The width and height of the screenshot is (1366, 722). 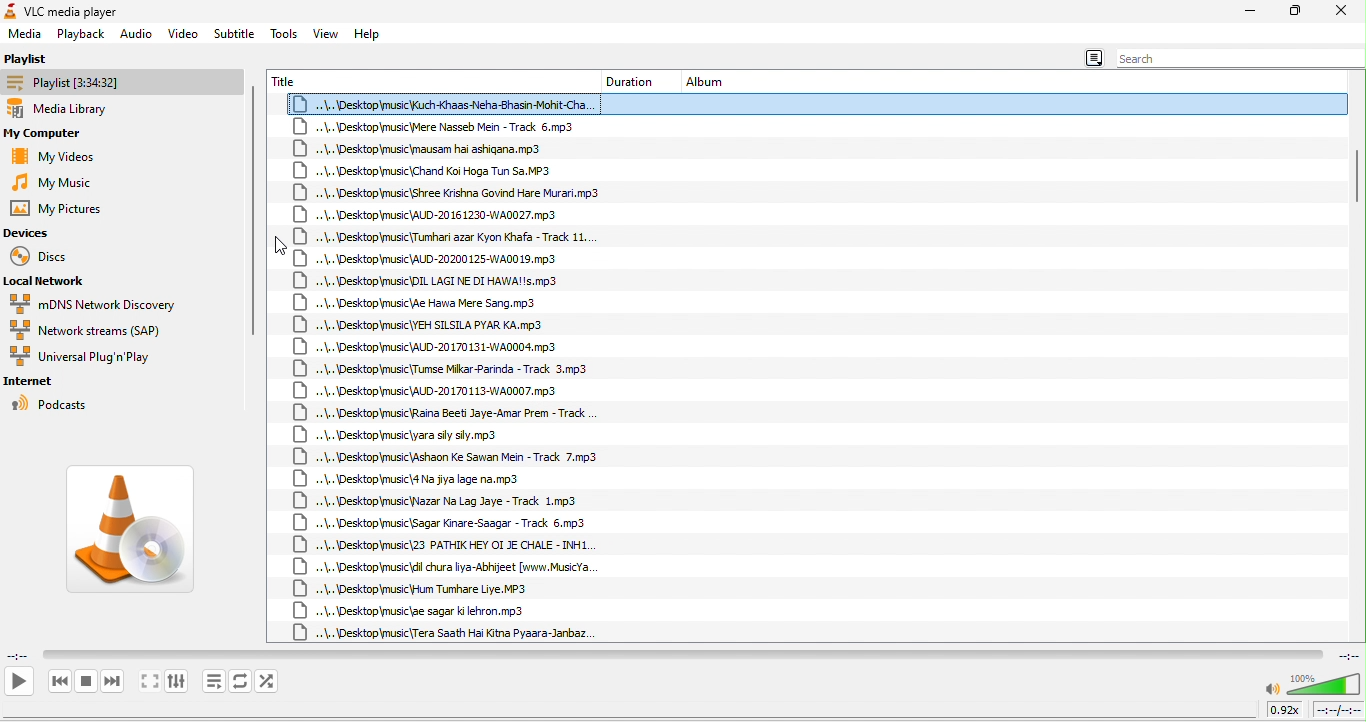 What do you see at coordinates (57, 405) in the screenshot?
I see `podcasts` at bounding box center [57, 405].